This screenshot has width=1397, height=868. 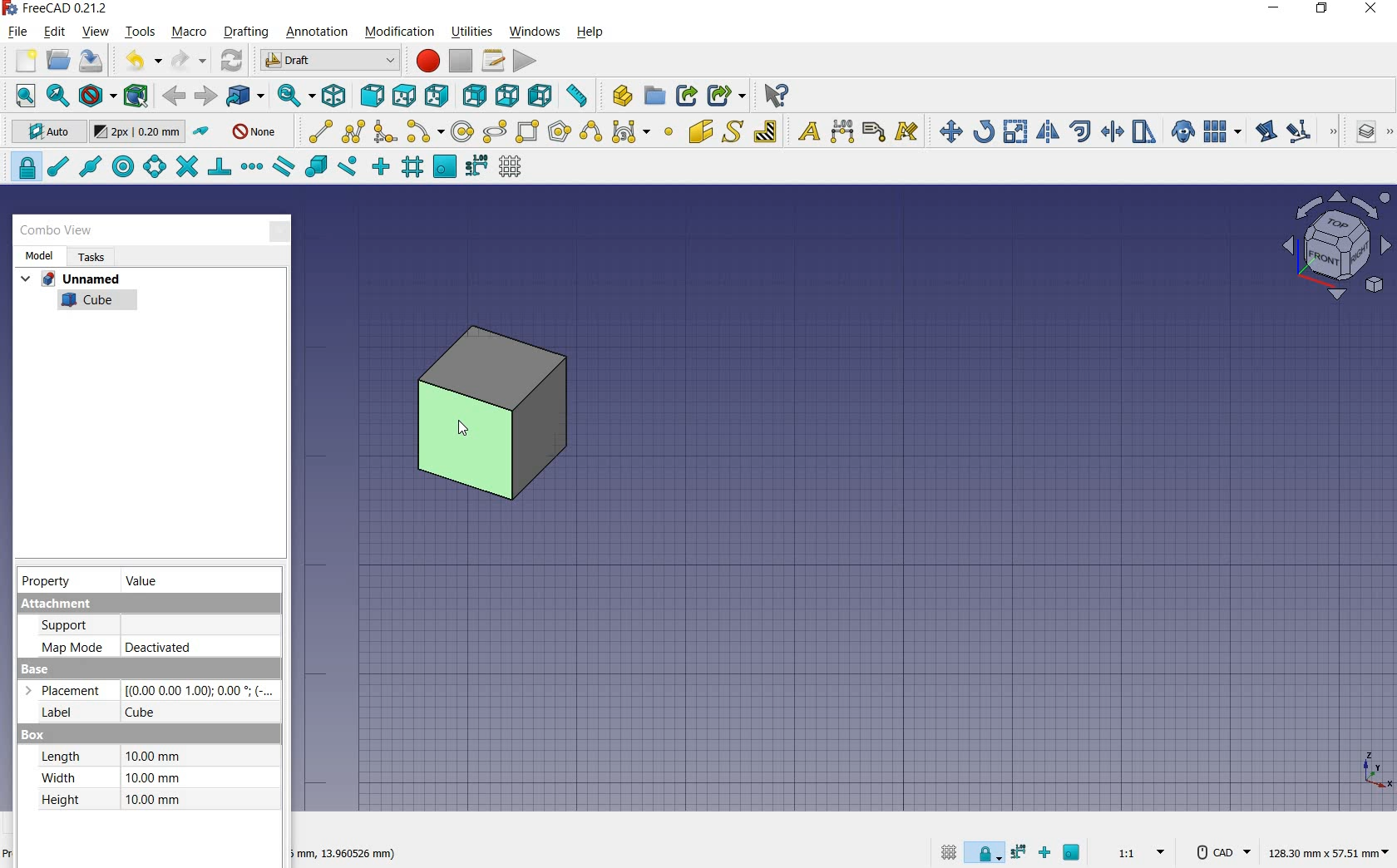 What do you see at coordinates (669, 133) in the screenshot?
I see `point` at bounding box center [669, 133].